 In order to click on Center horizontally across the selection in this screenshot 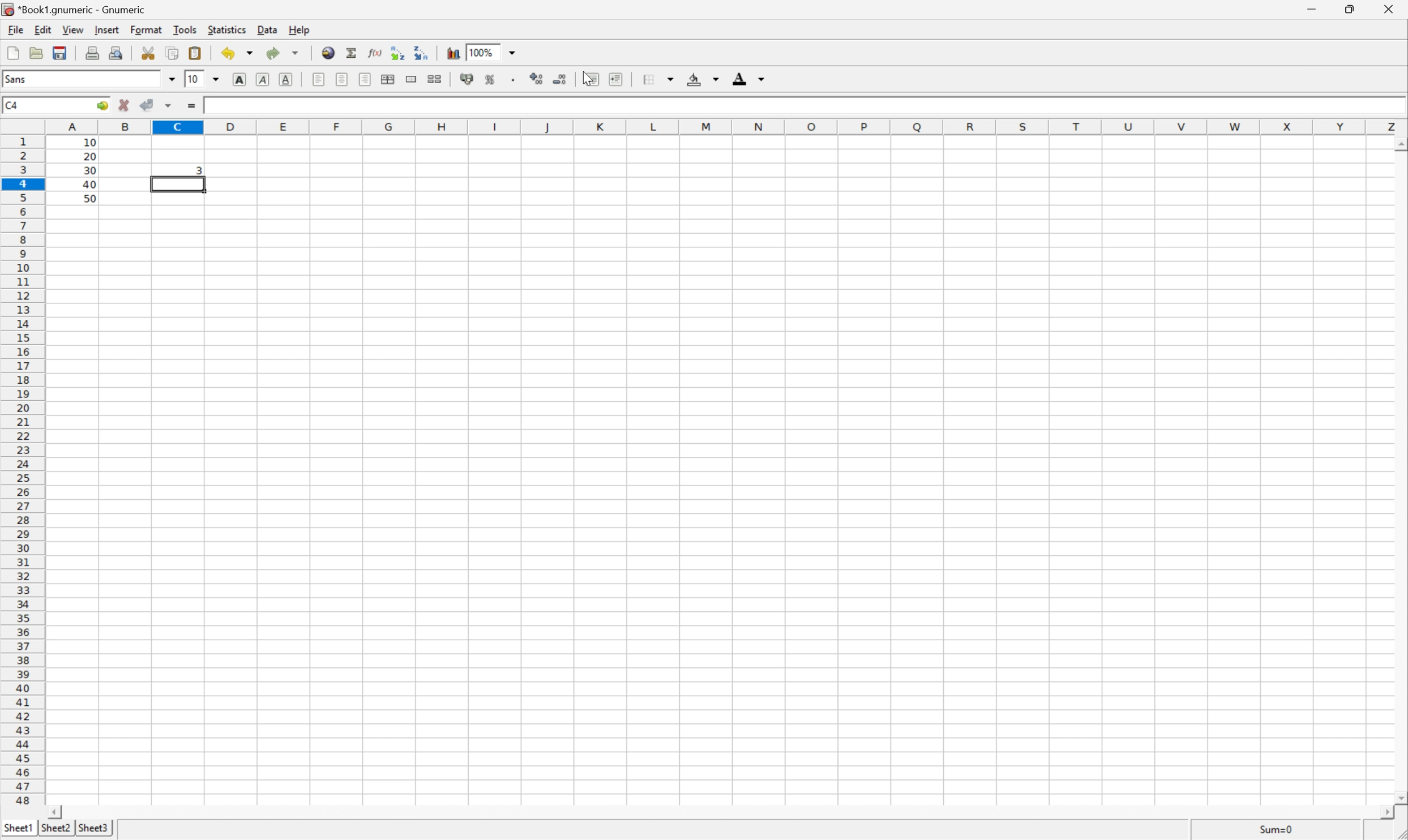, I will do `click(388, 79)`.